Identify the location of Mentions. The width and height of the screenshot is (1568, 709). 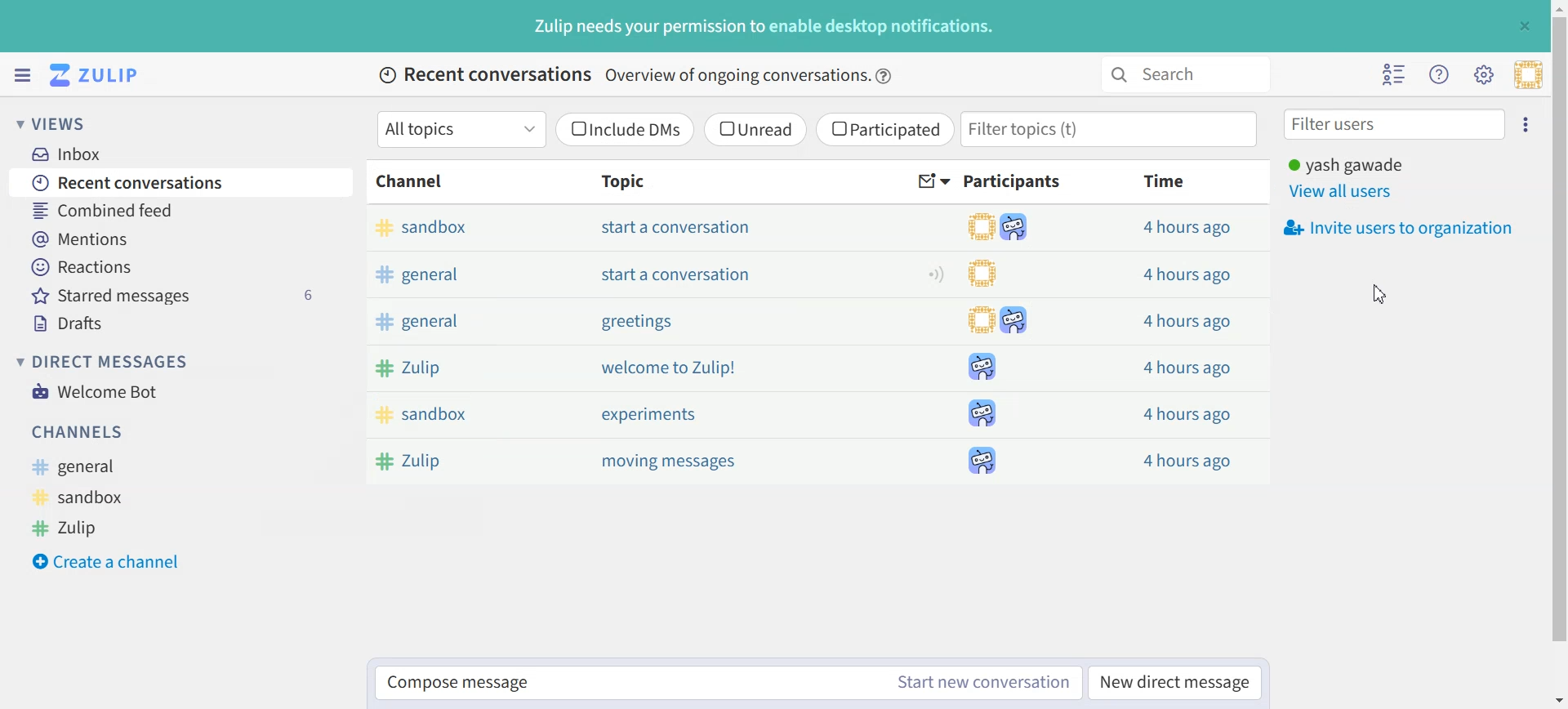
(182, 237).